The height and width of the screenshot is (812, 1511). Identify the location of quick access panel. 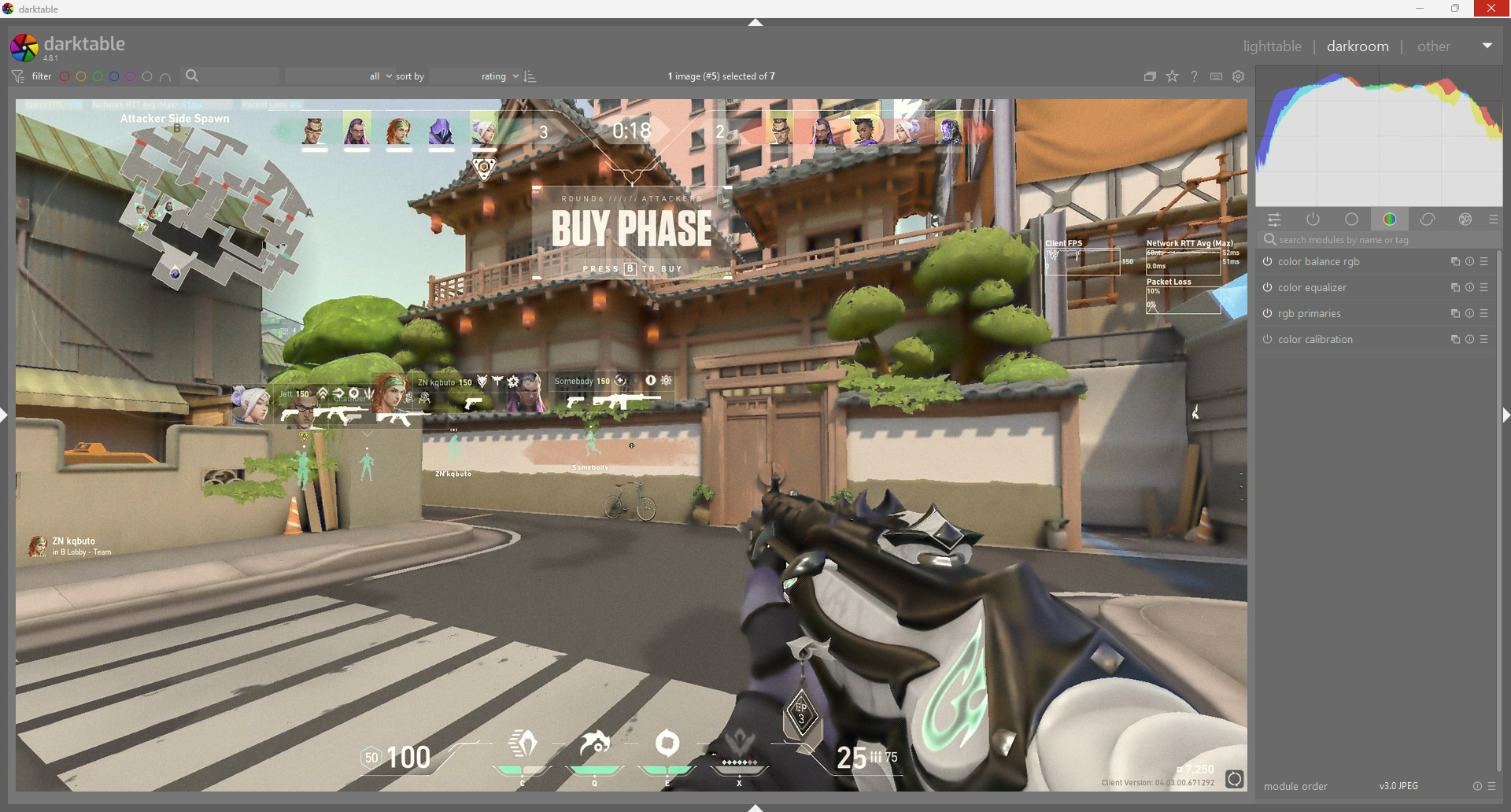
(1278, 220).